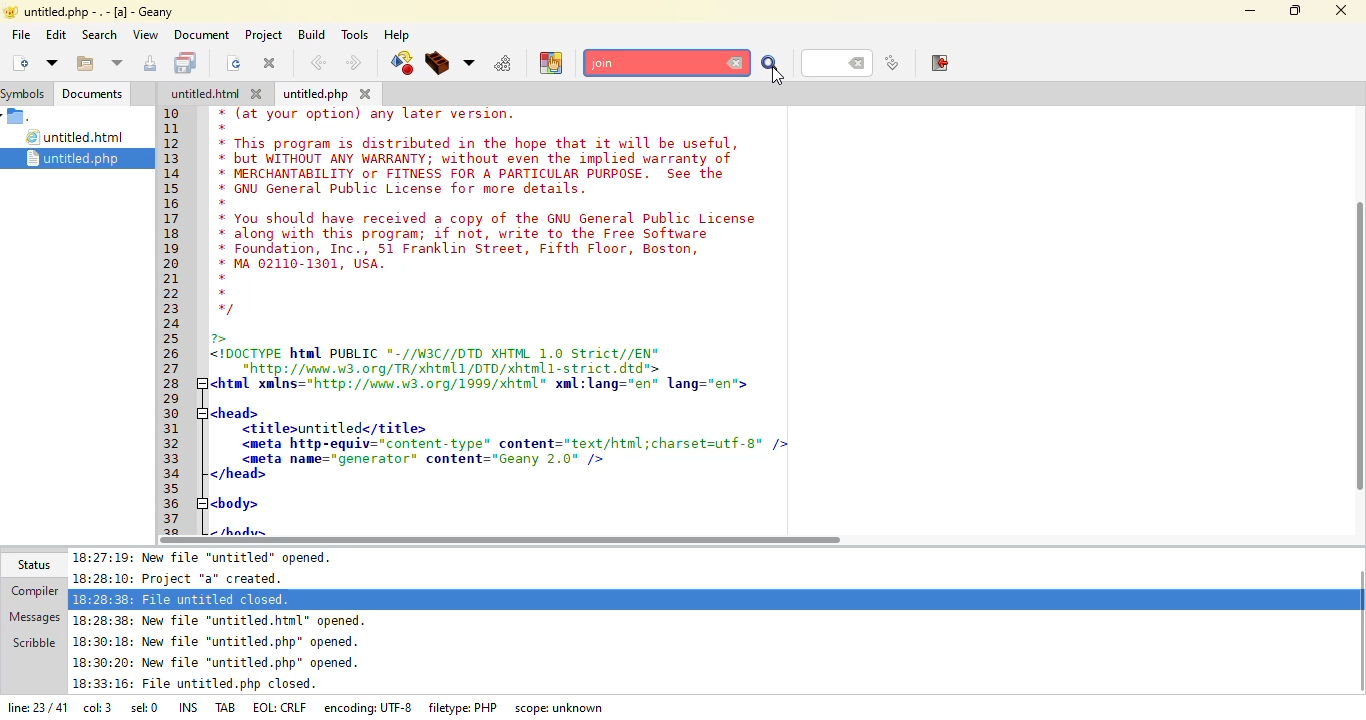 The image size is (1366, 720). I want to click on filetype: php, so click(464, 707).